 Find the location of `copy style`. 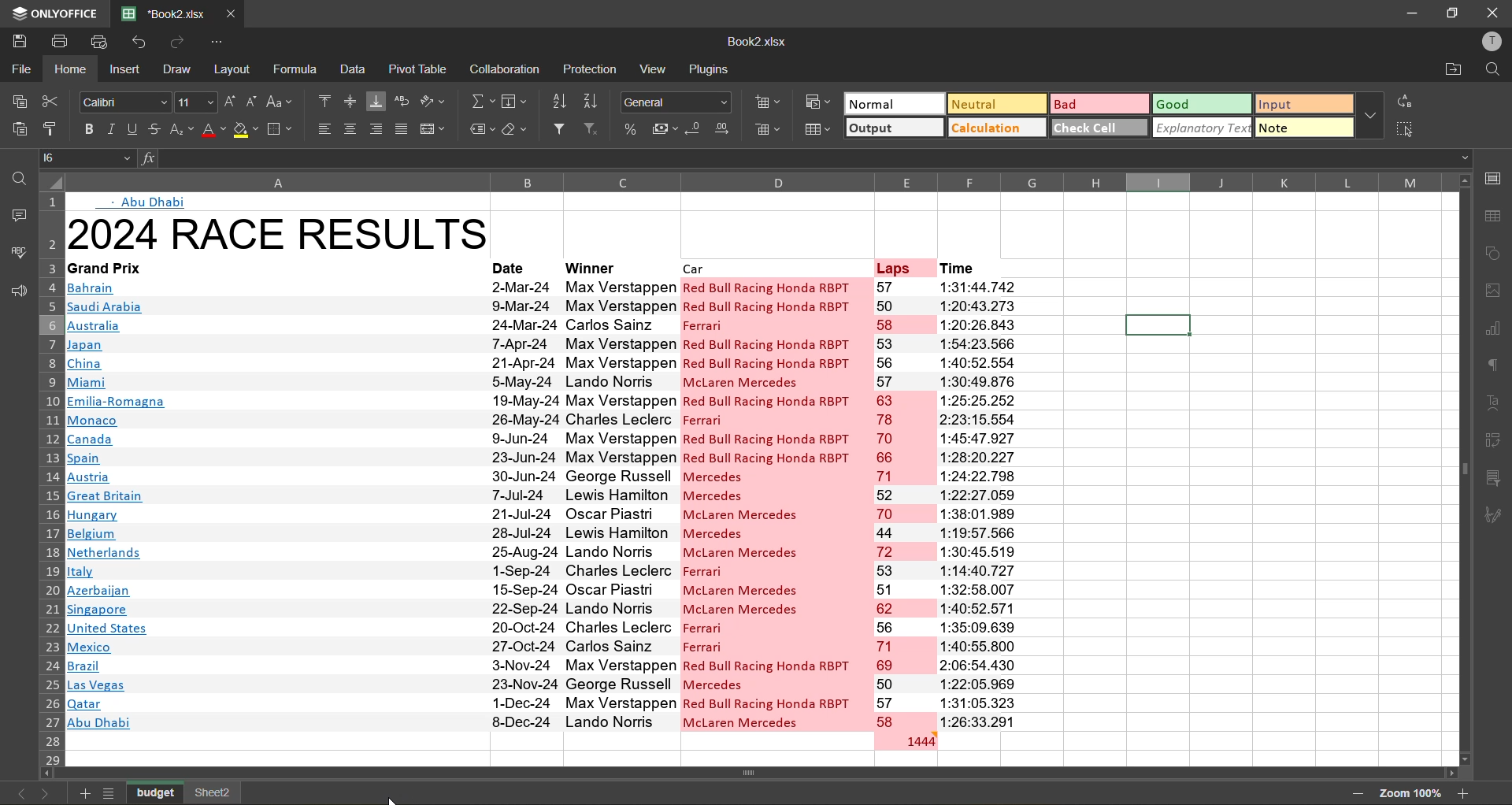

copy style is located at coordinates (53, 130).